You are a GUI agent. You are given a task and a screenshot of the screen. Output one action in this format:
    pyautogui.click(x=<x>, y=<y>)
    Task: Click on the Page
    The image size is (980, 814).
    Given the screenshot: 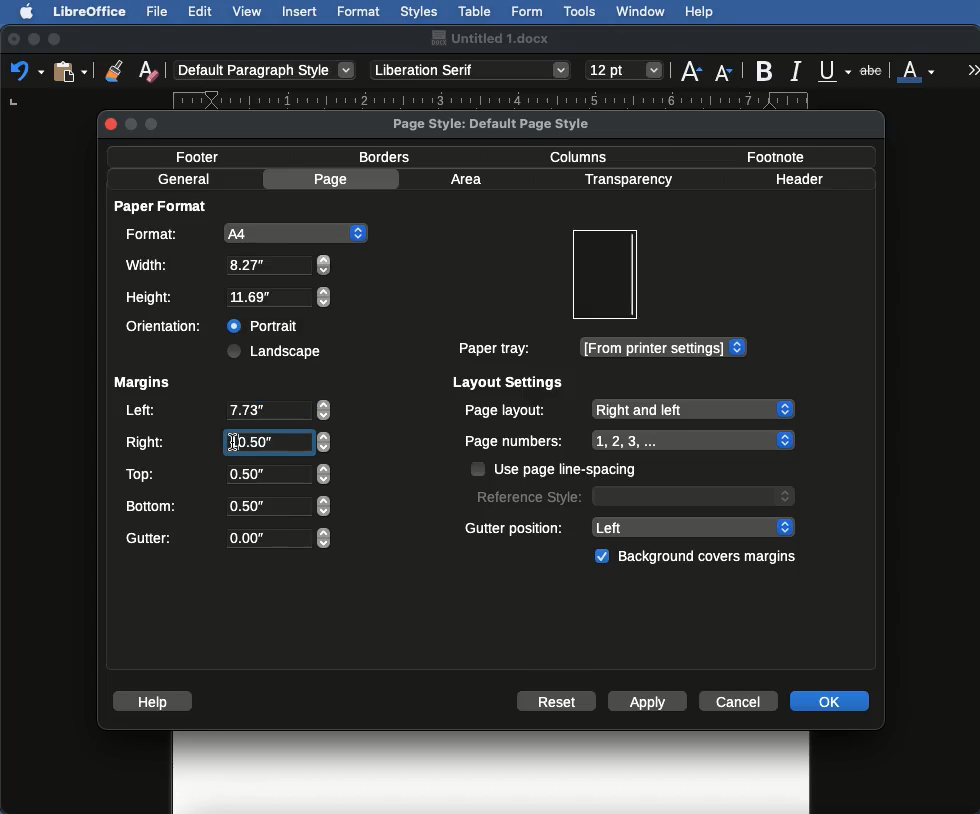 What is the action you would take?
    pyautogui.click(x=334, y=179)
    